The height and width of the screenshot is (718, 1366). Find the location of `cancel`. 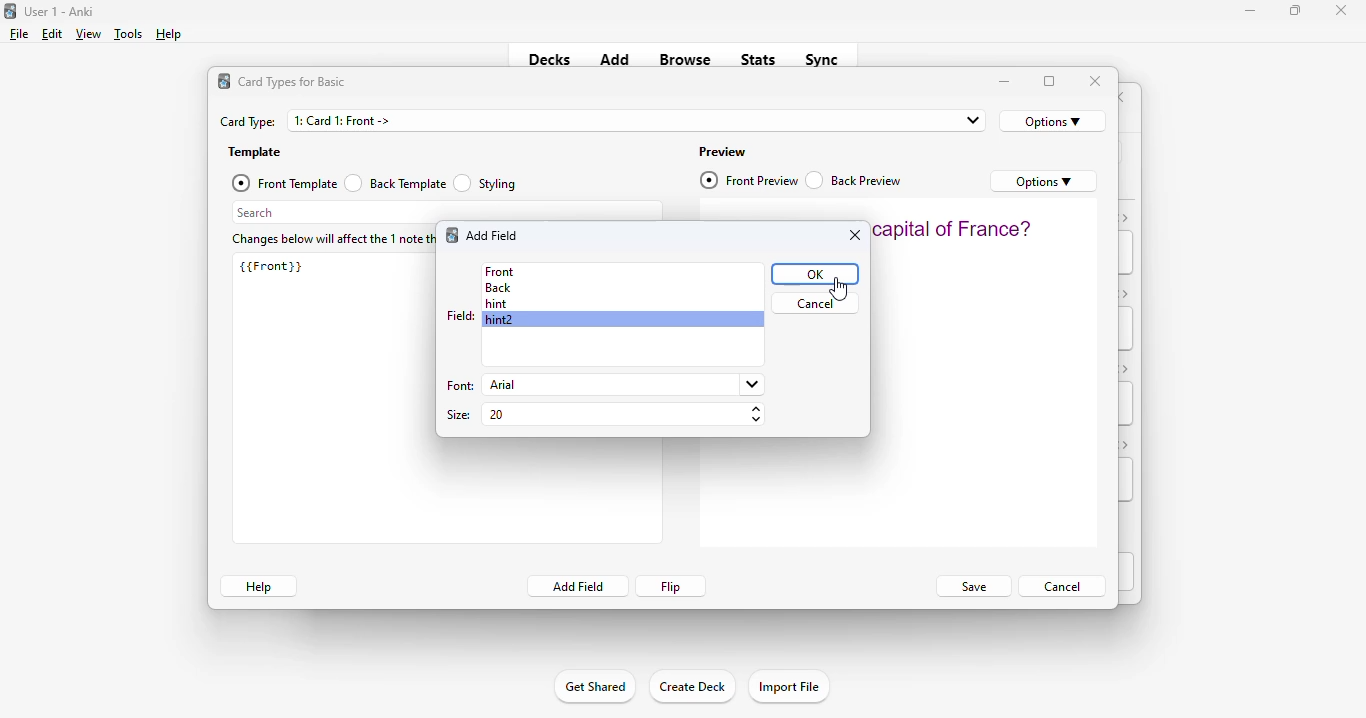

cancel is located at coordinates (1062, 585).